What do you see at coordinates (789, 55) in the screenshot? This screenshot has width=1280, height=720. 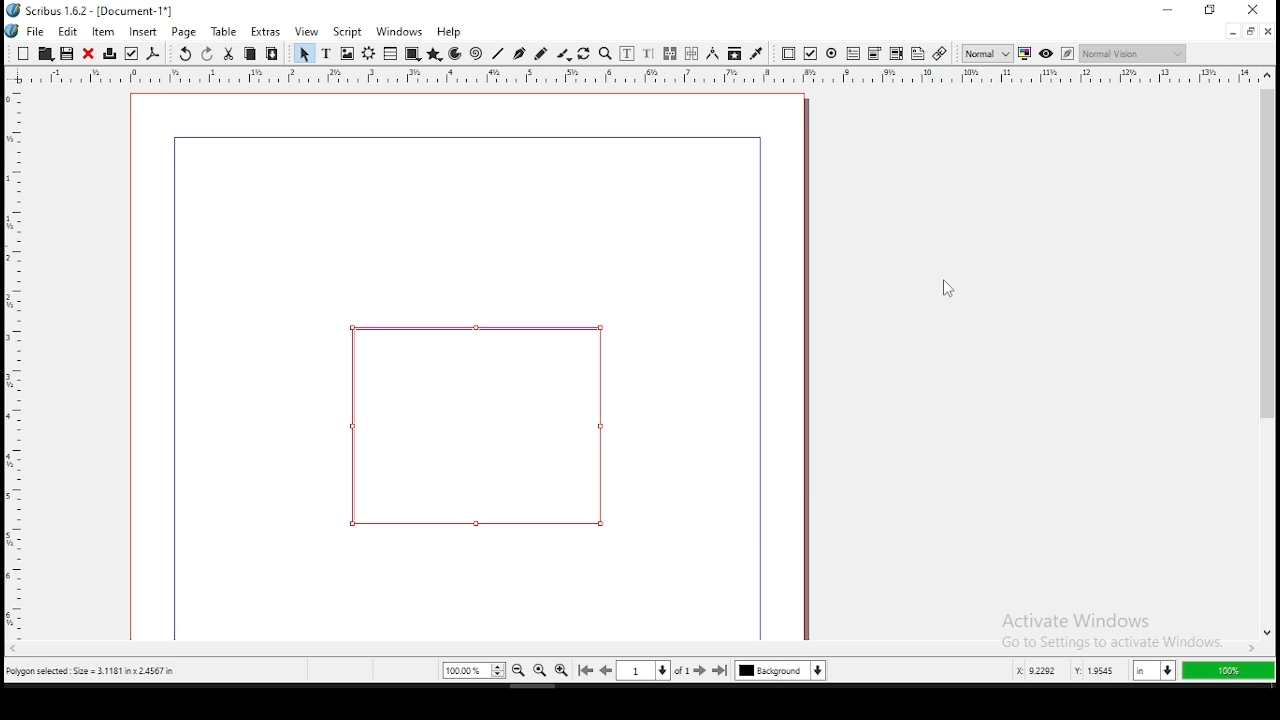 I see `pdf push button` at bounding box center [789, 55].